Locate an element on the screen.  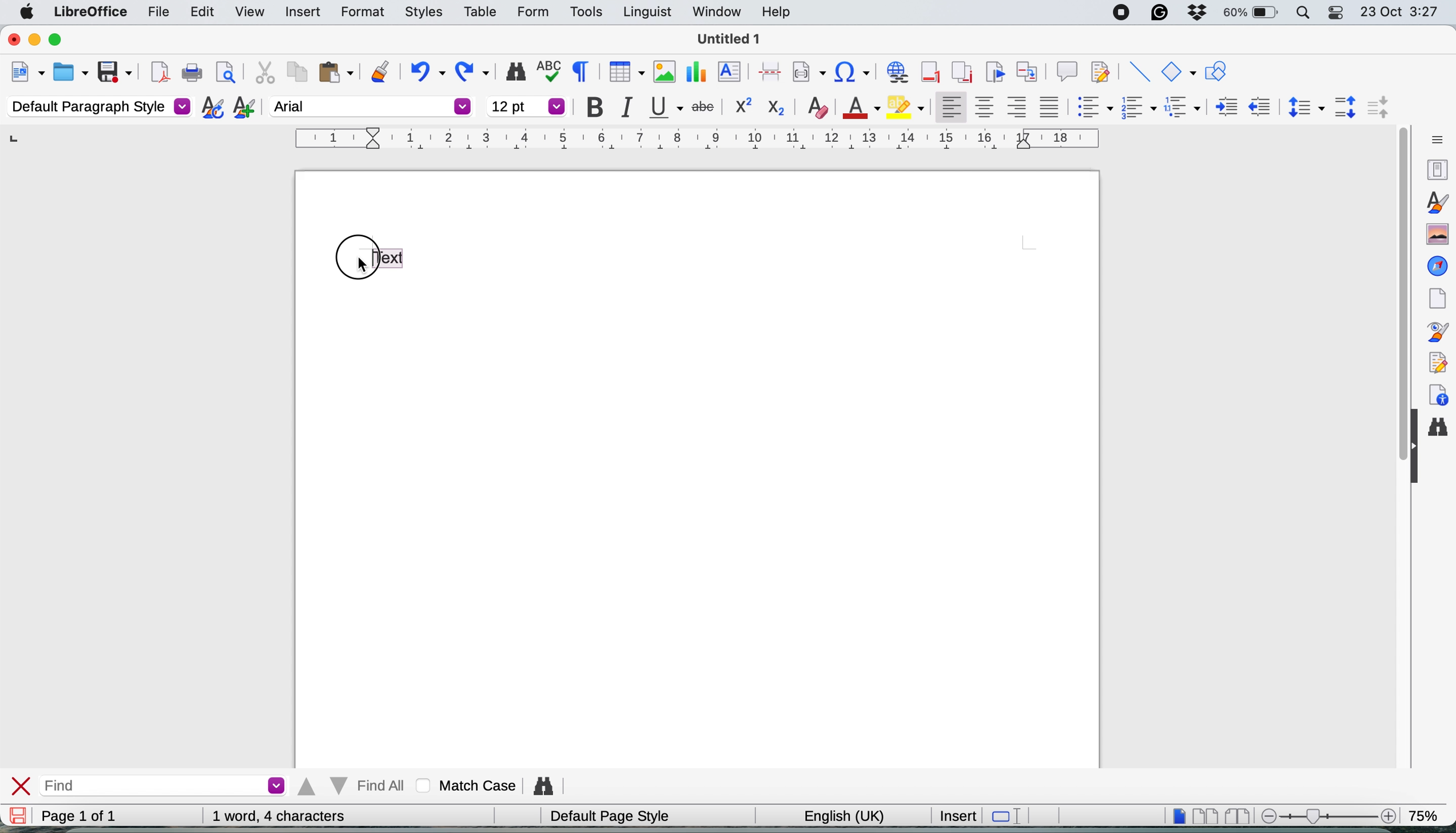
close is located at coordinates (11, 38).